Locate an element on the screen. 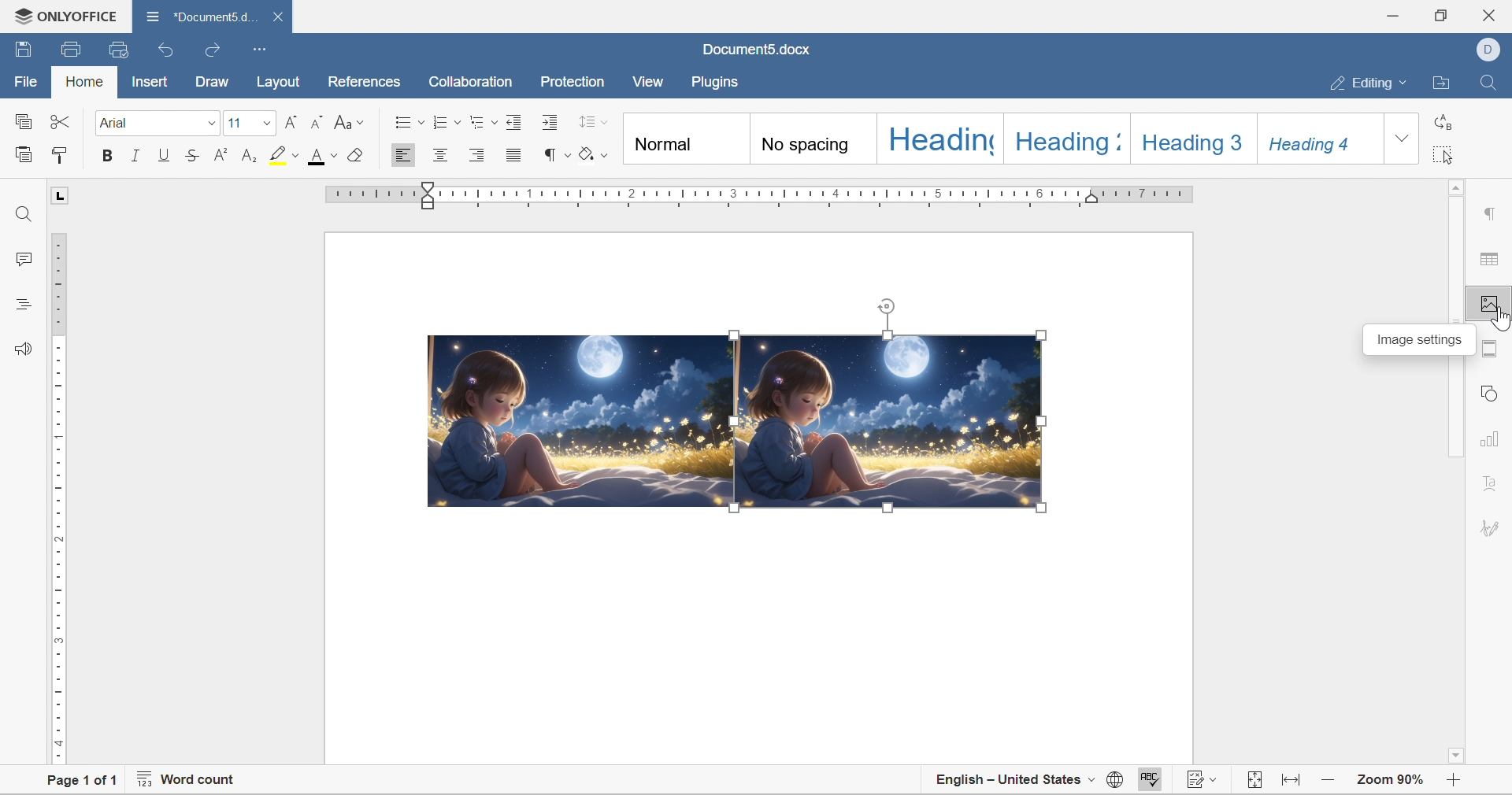  fit to width is located at coordinates (1293, 780).